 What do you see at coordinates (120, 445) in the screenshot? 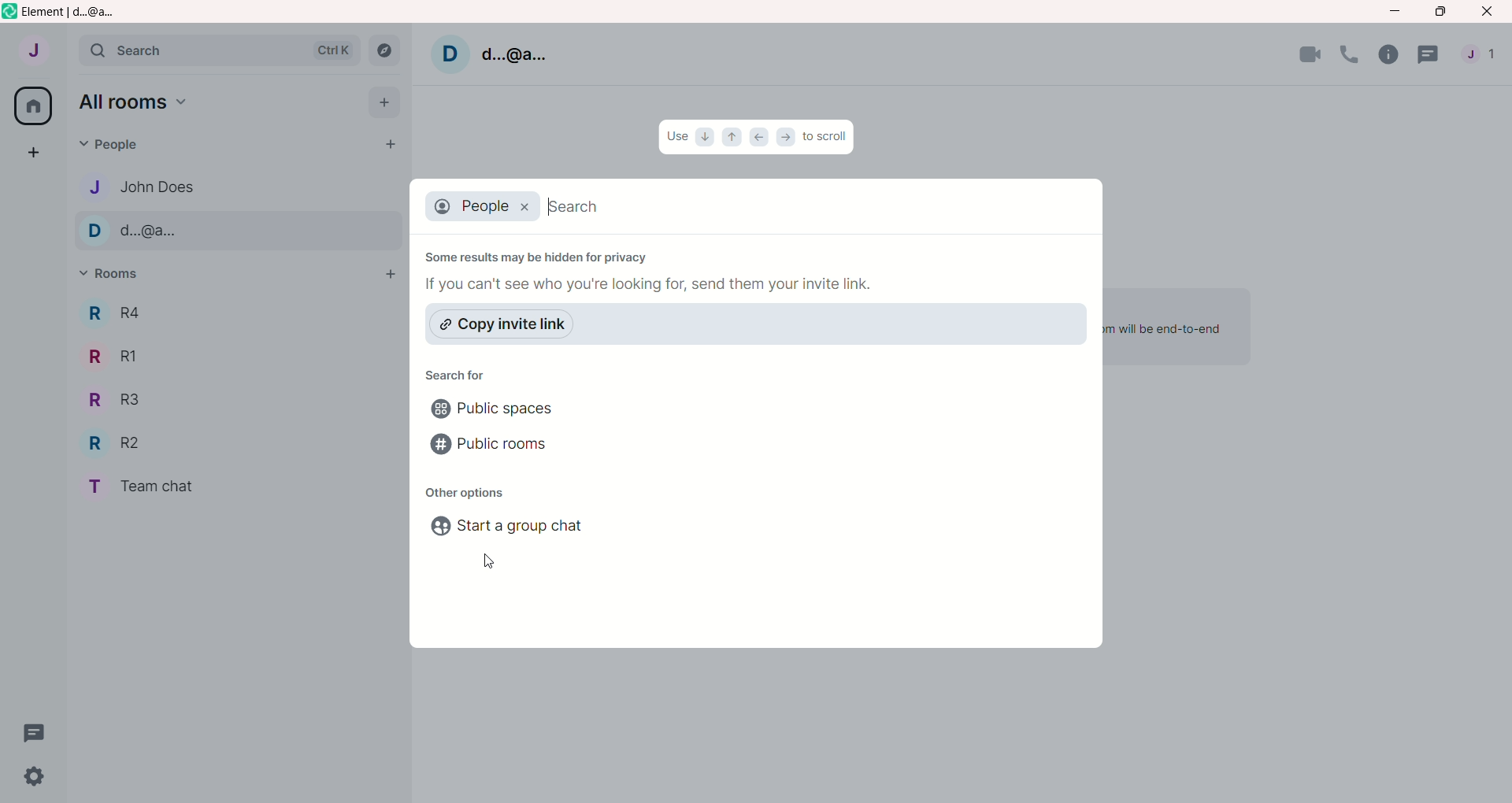
I see `R2` at bounding box center [120, 445].